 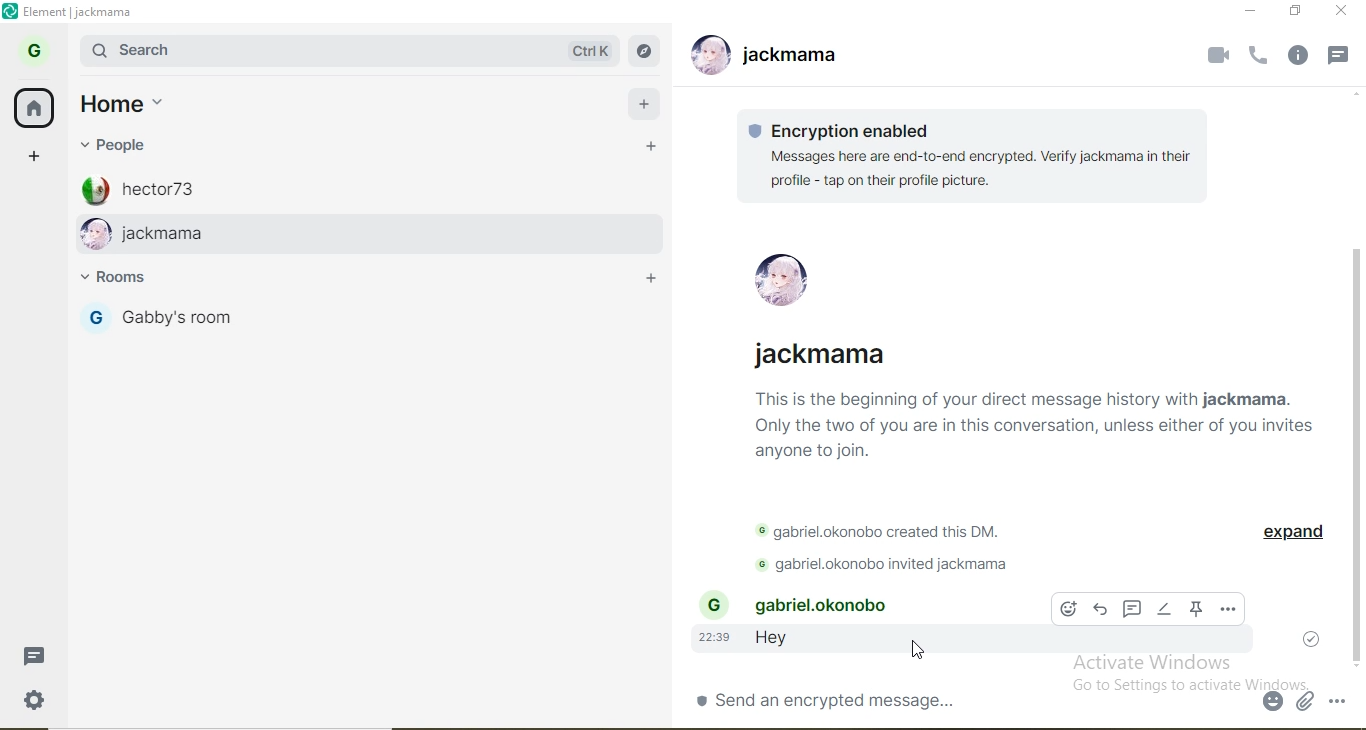 What do you see at coordinates (1244, 11) in the screenshot?
I see `minimise` at bounding box center [1244, 11].